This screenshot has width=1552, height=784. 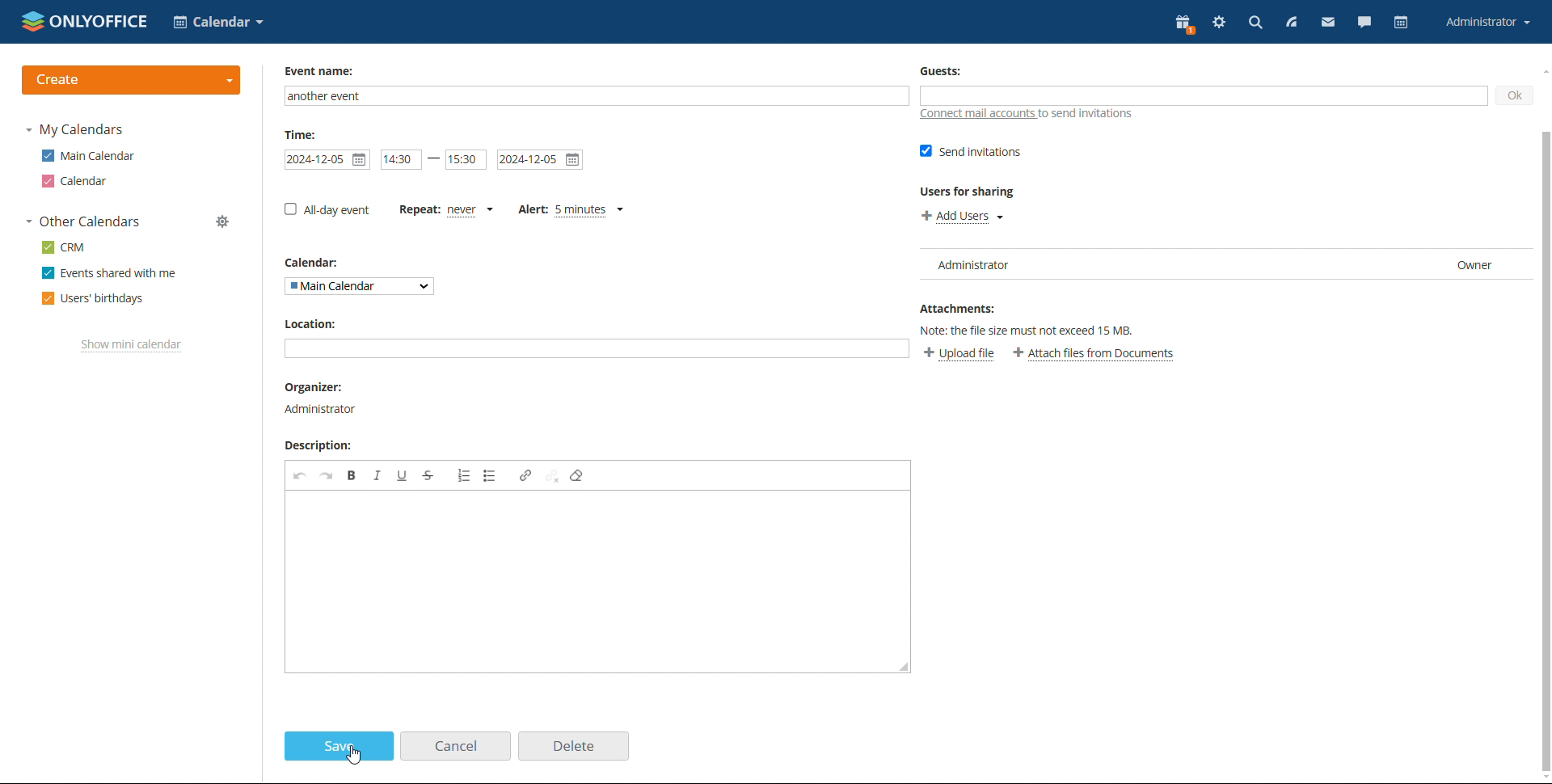 What do you see at coordinates (74, 130) in the screenshot?
I see `my calendars` at bounding box center [74, 130].